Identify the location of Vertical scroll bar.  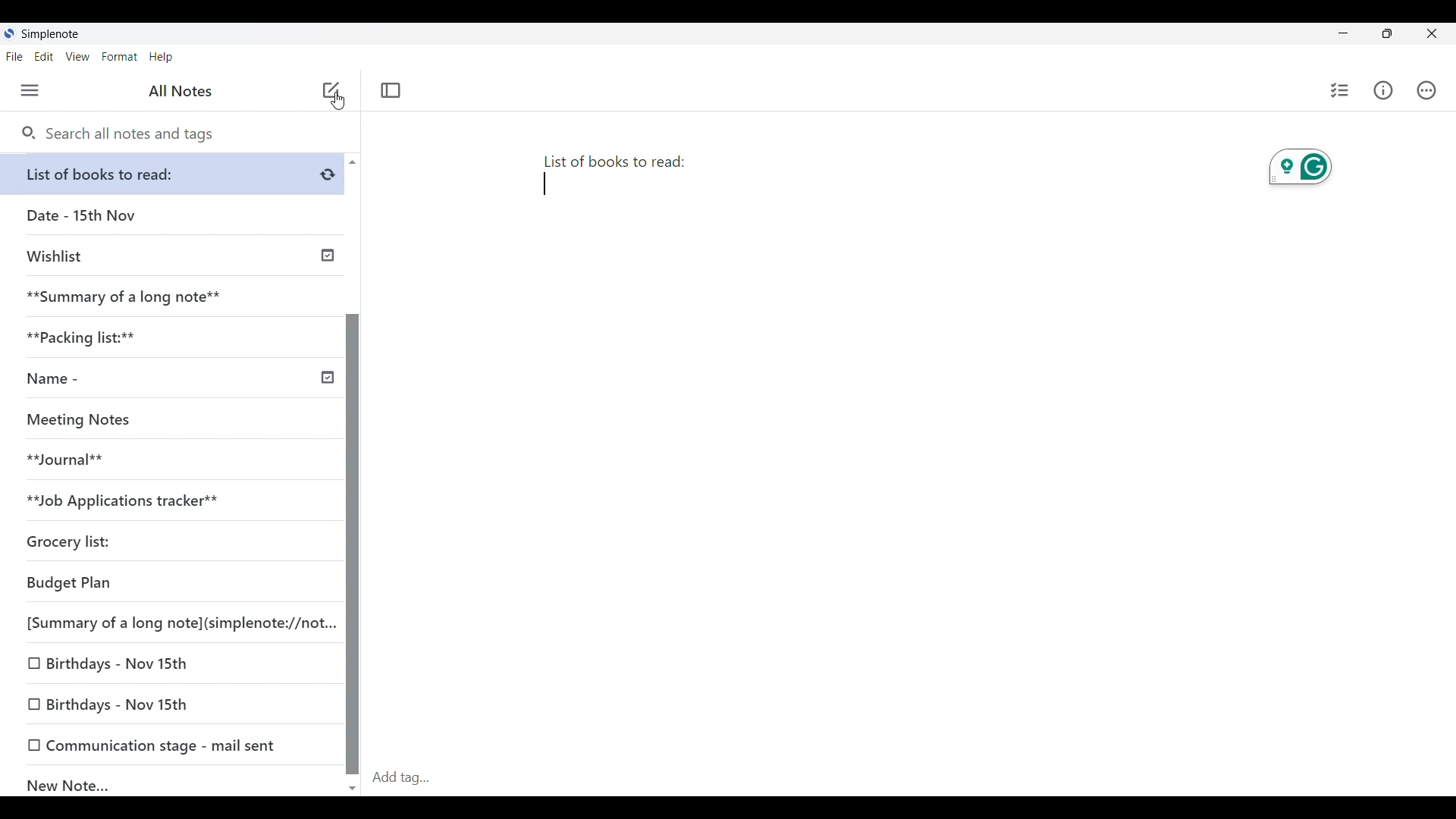
(352, 473).